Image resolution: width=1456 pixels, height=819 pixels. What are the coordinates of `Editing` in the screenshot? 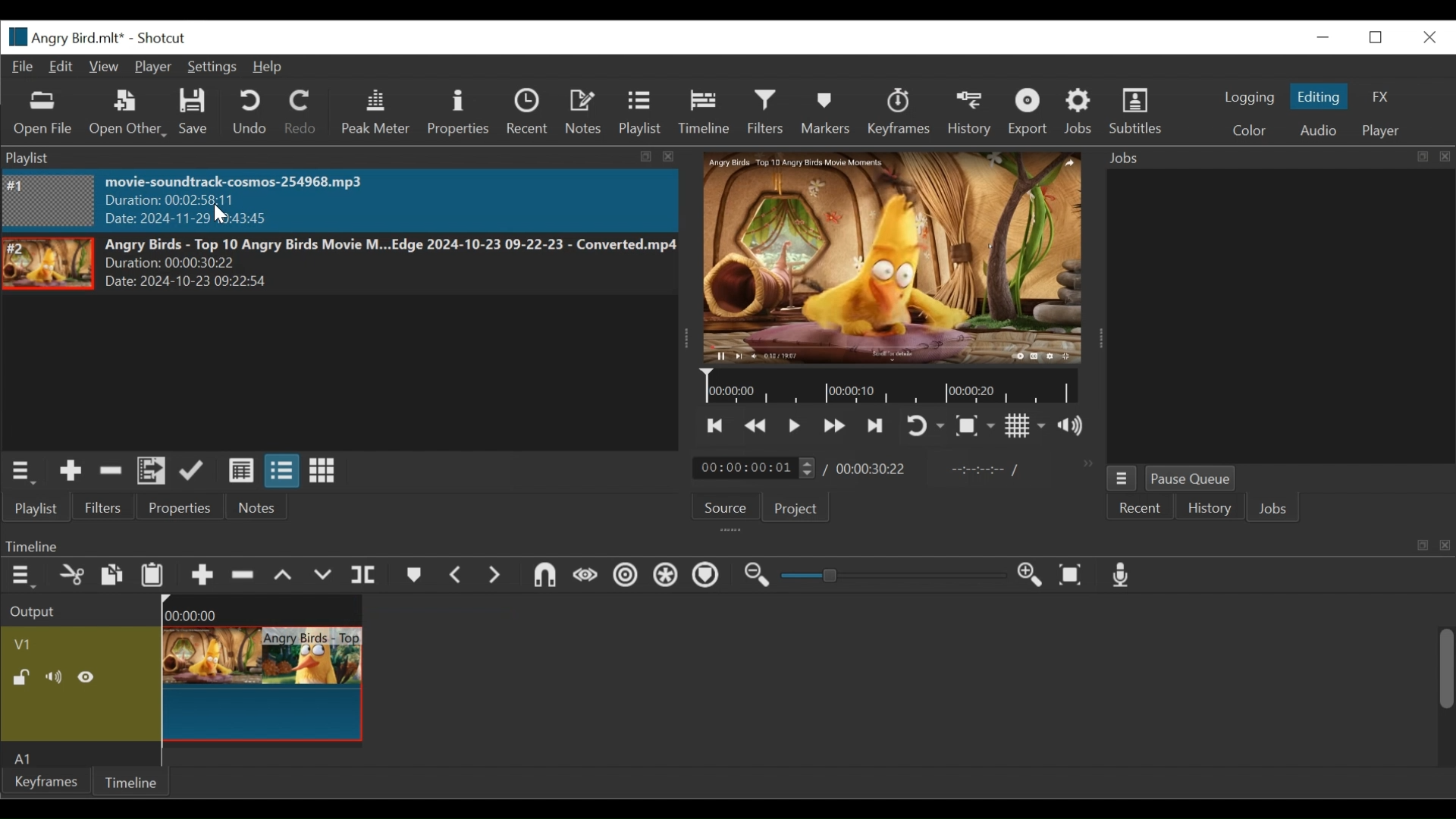 It's located at (1319, 97).